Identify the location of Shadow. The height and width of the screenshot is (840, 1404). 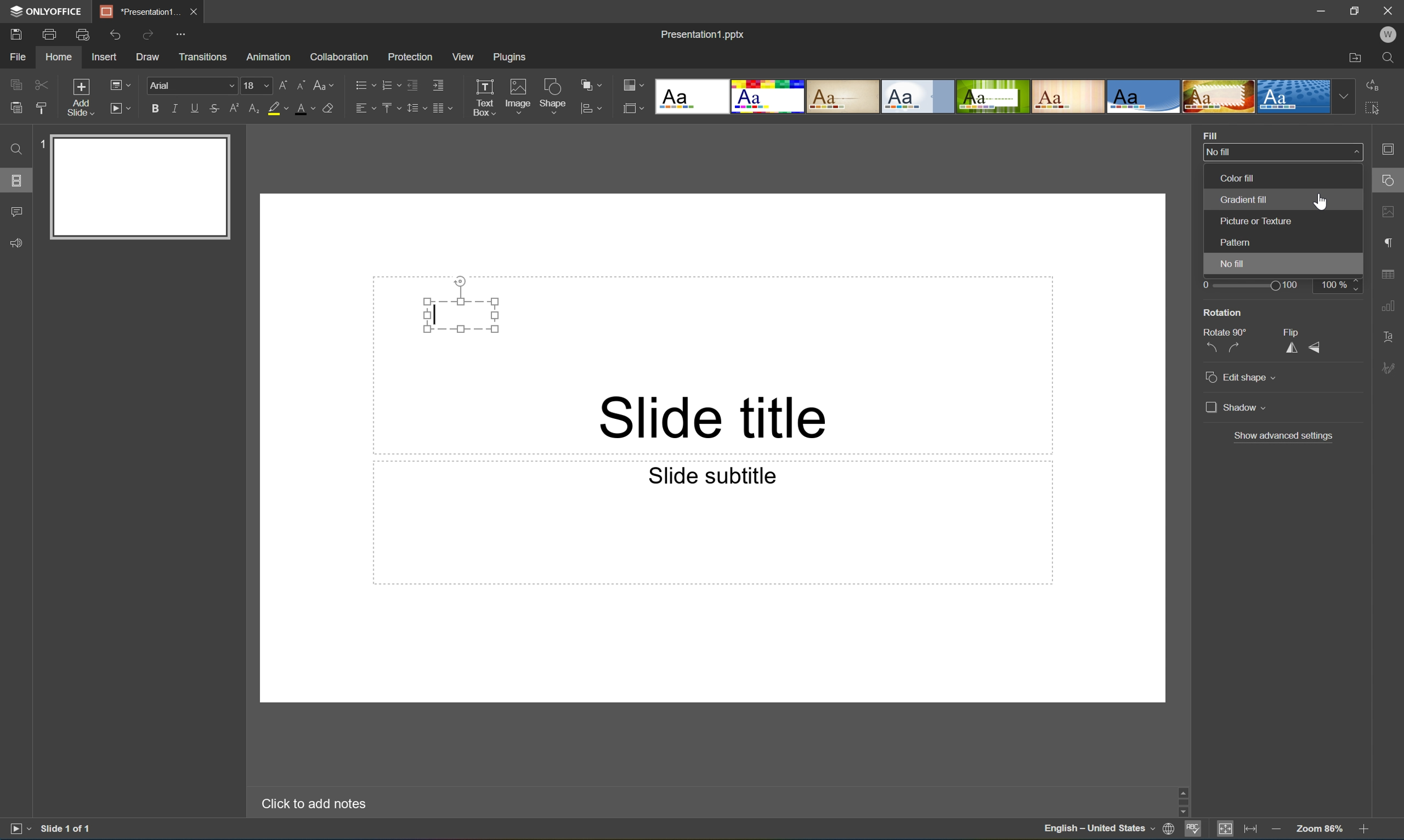
(1236, 409).